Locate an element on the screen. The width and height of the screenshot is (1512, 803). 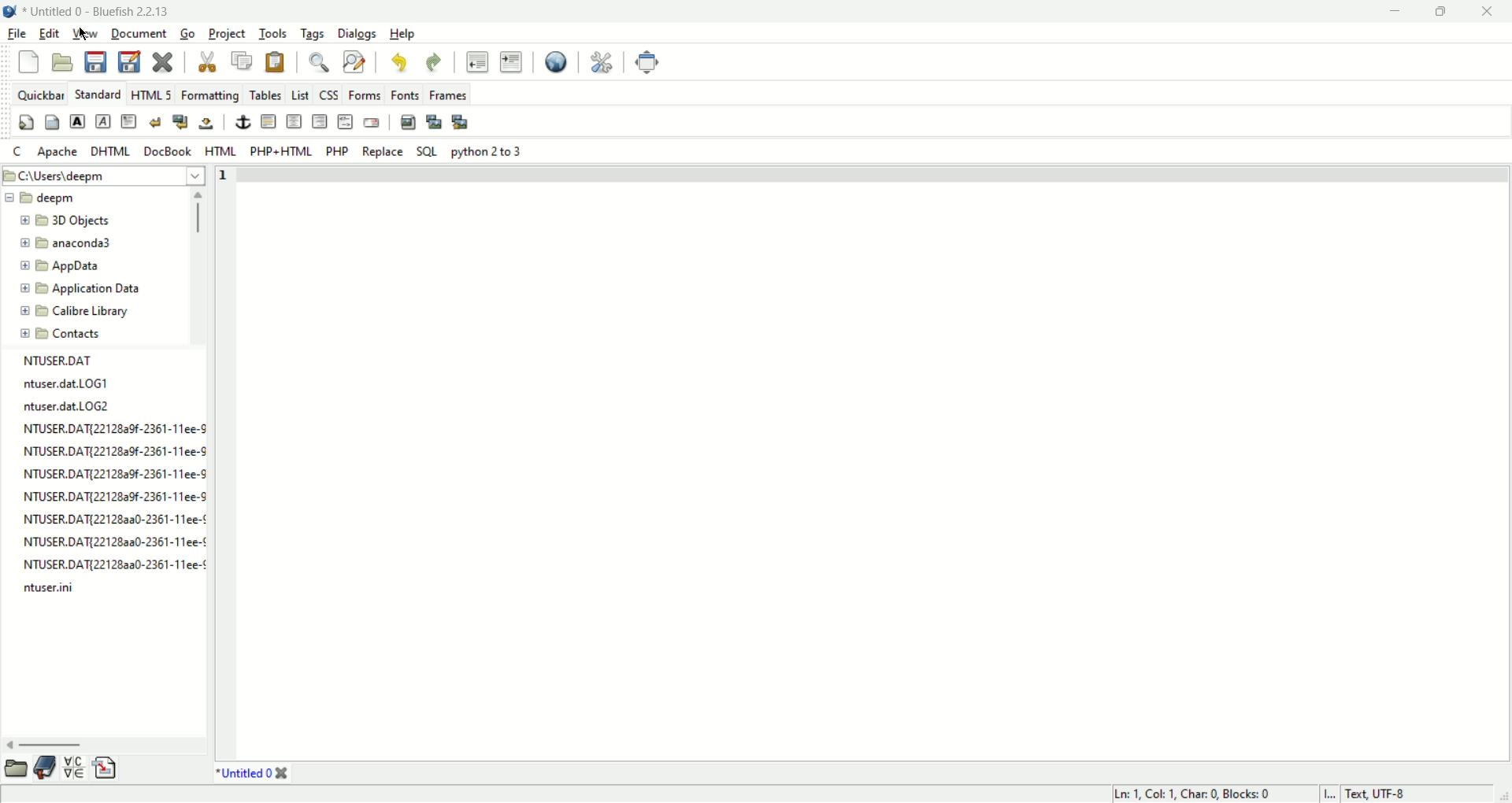
NTUSER.DATI22128a30-2361-11ee-¢ is located at coordinates (114, 539).